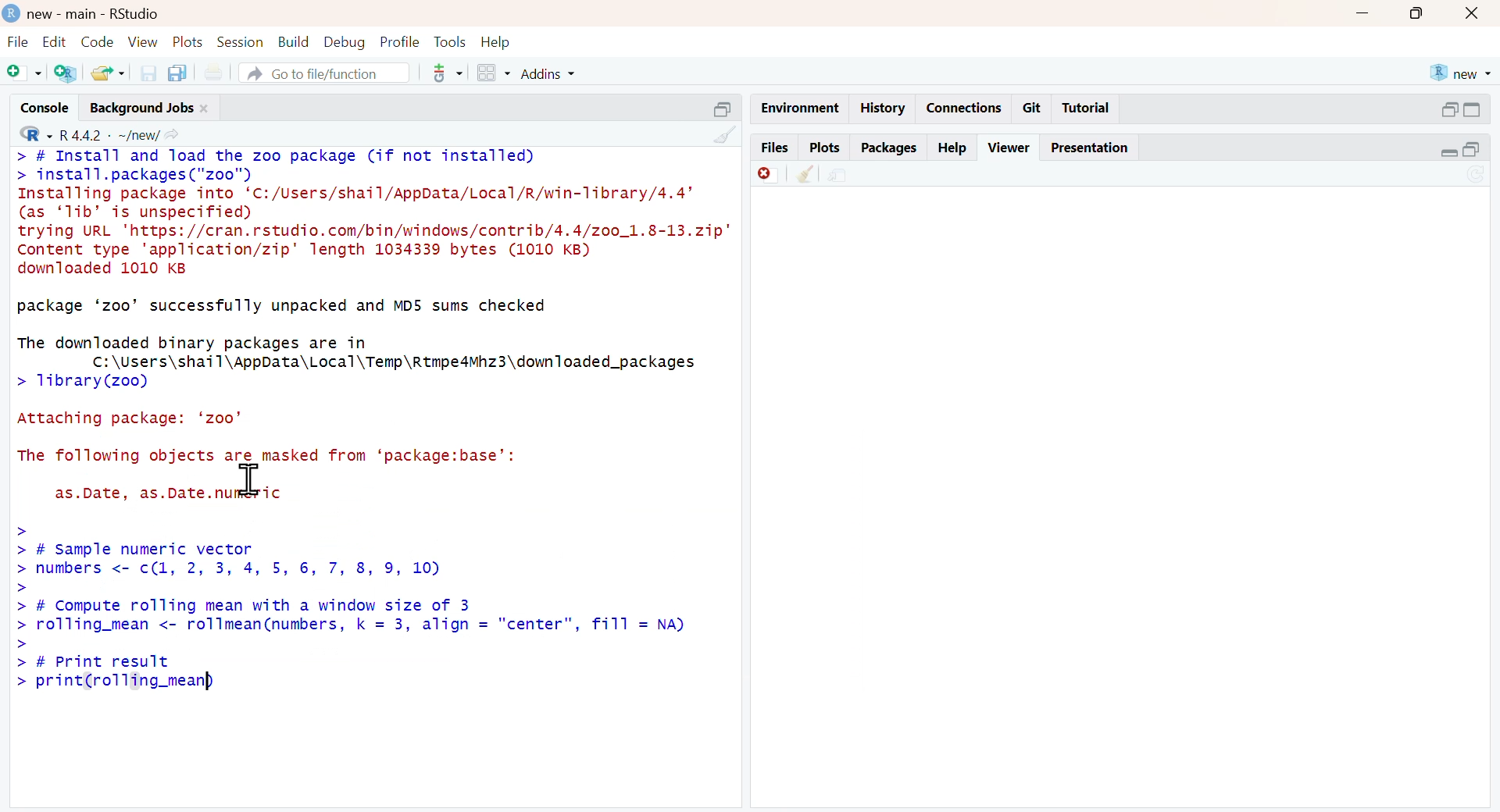 The height and width of the screenshot is (812, 1500). What do you see at coordinates (954, 148) in the screenshot?
I see `help` at bounding box center [954, 148].